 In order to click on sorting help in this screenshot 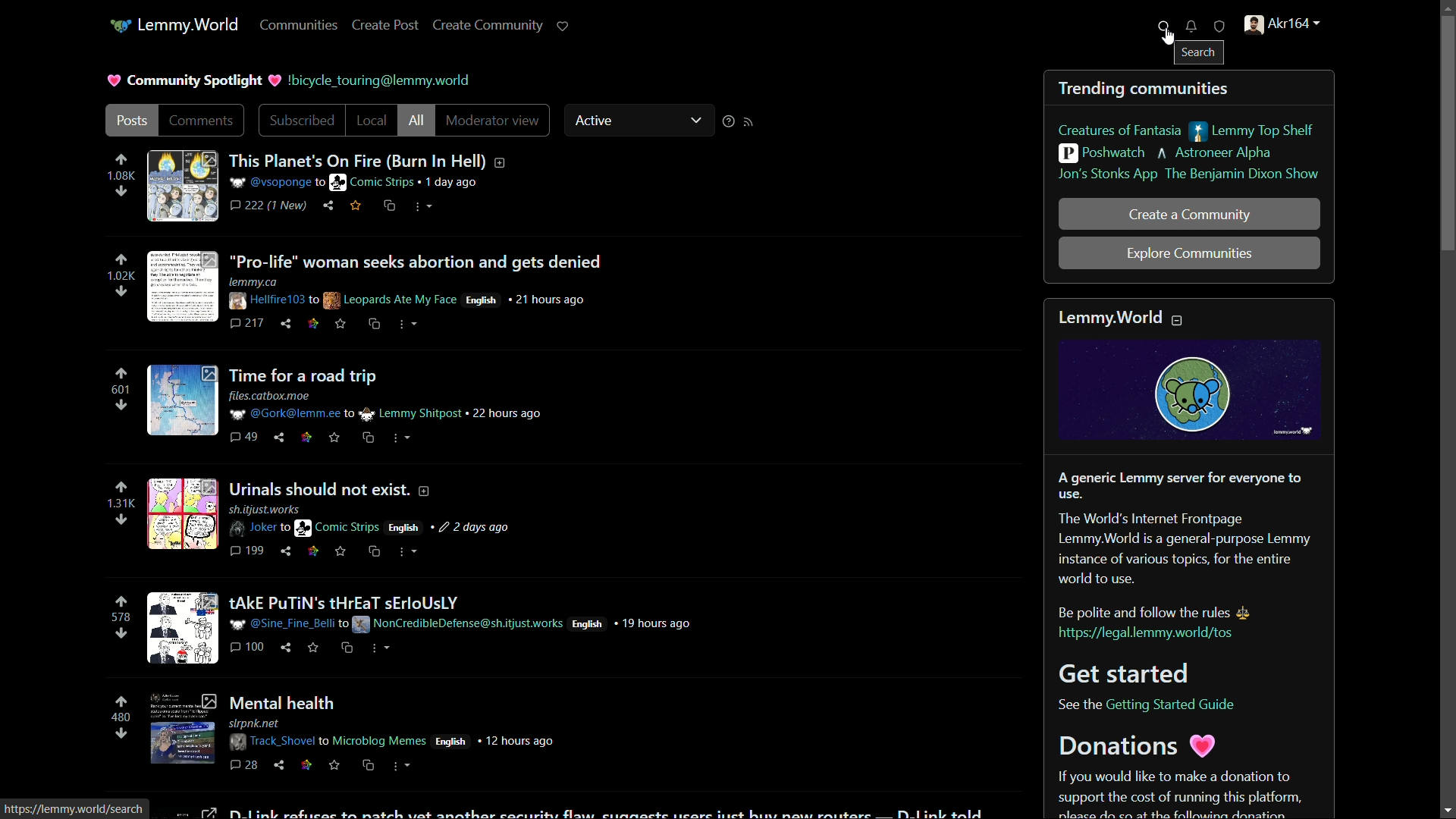, I will do `click(726, 121)`.